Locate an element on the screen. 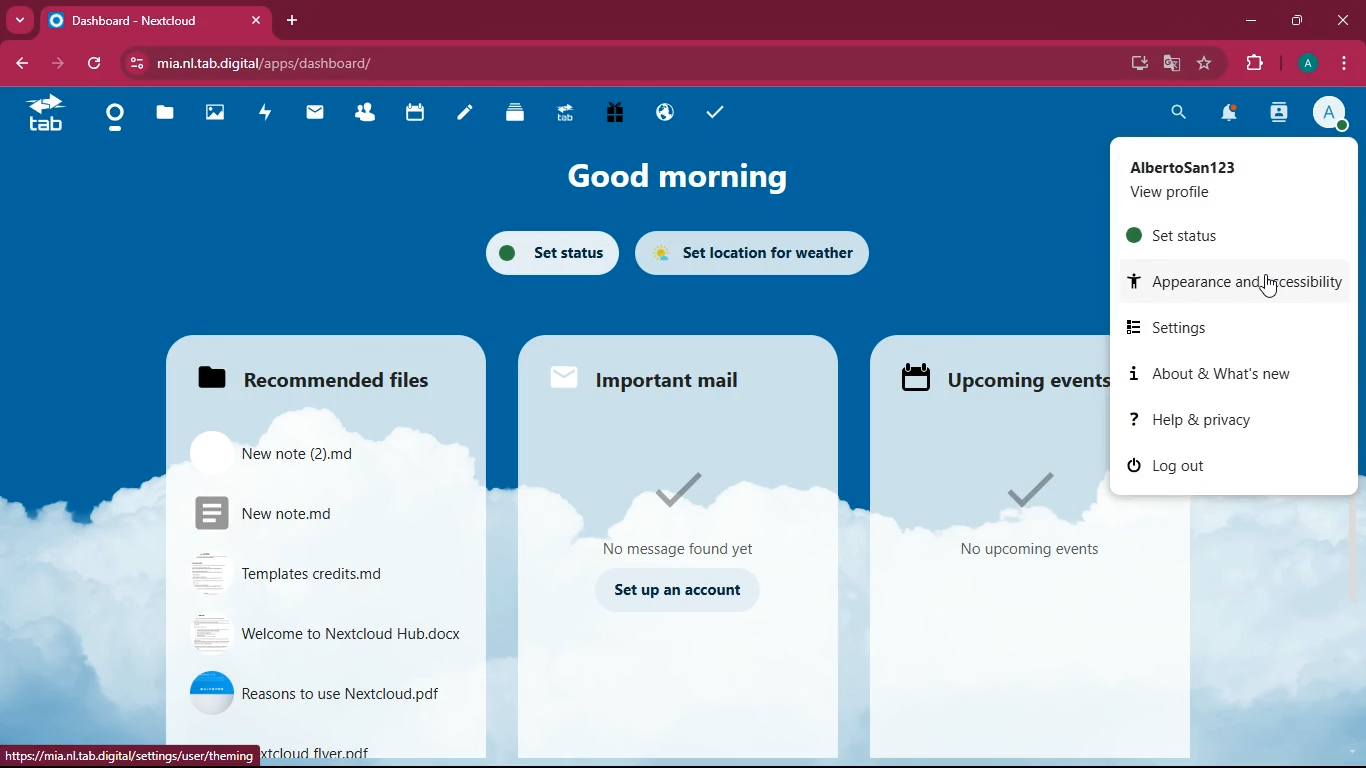 This screenshot has width=1366, height=768. minimize is located at coordinates (1251, 24).